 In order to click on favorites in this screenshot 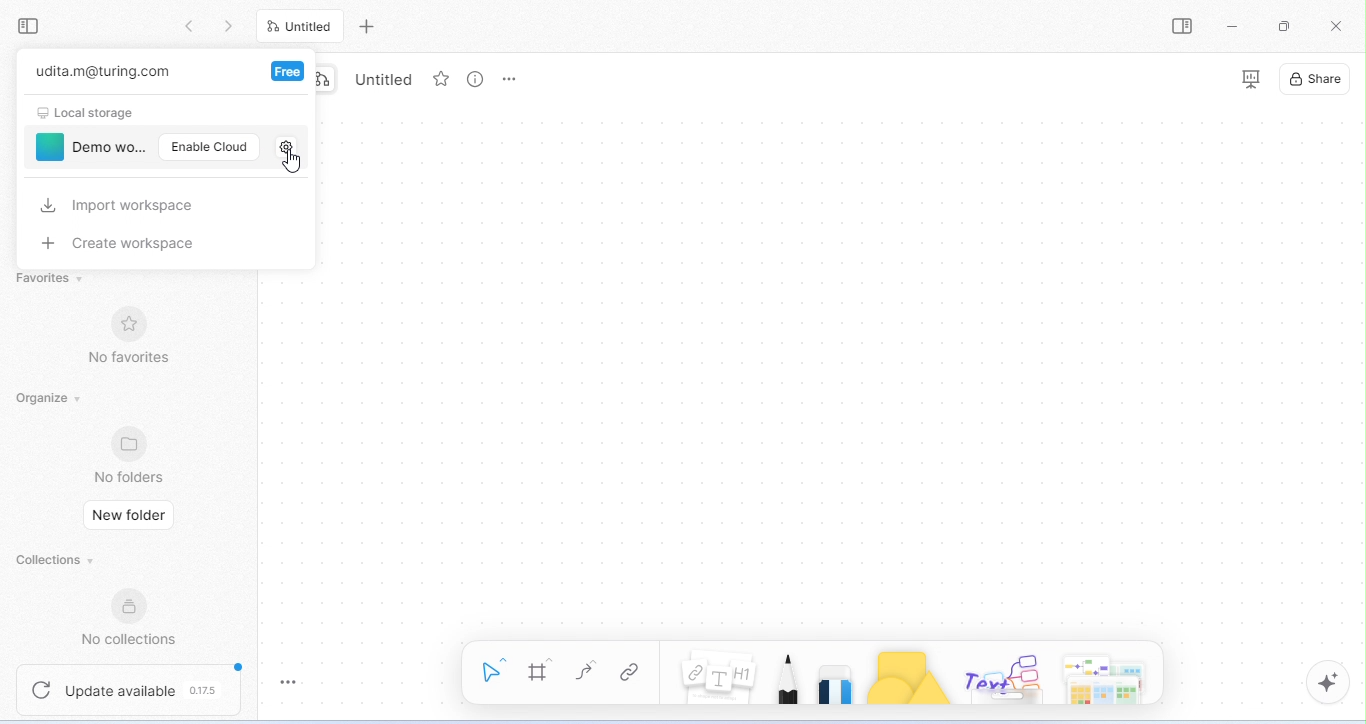, I will do `click(53, 279)`.